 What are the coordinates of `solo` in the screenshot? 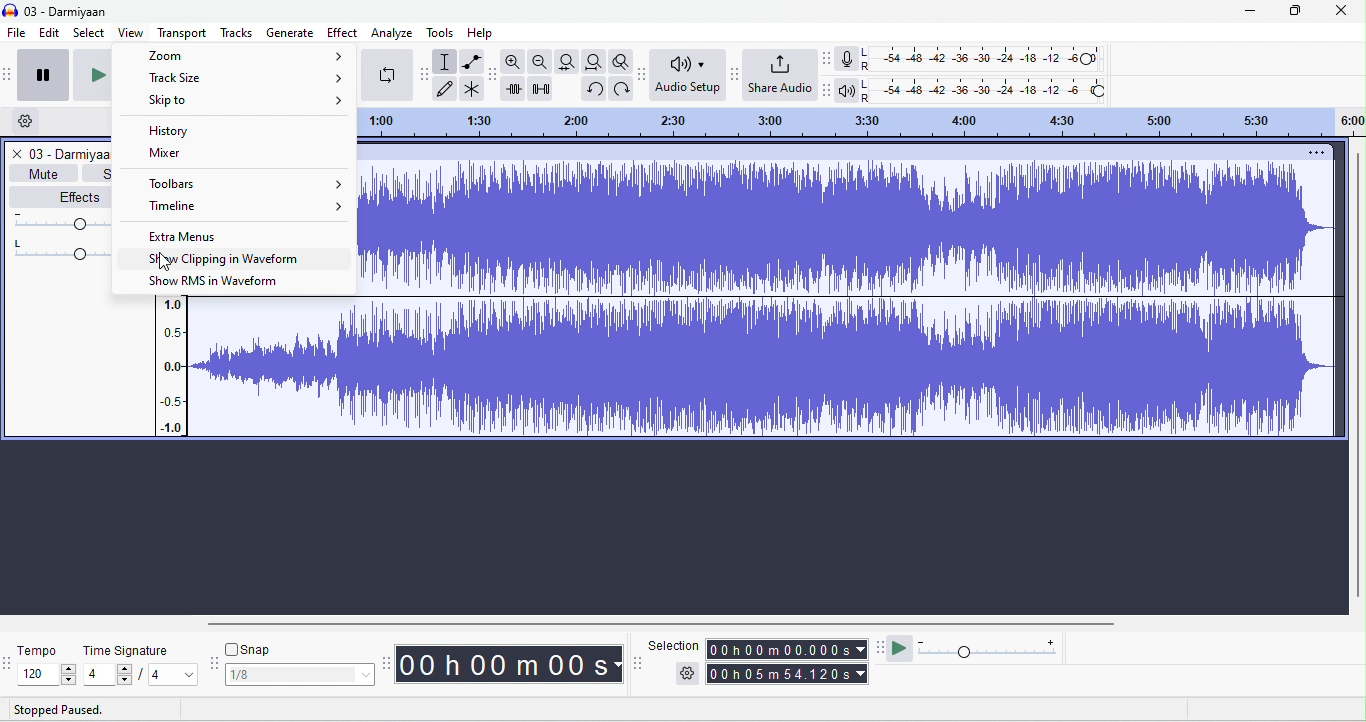 It's located at (103, 174).